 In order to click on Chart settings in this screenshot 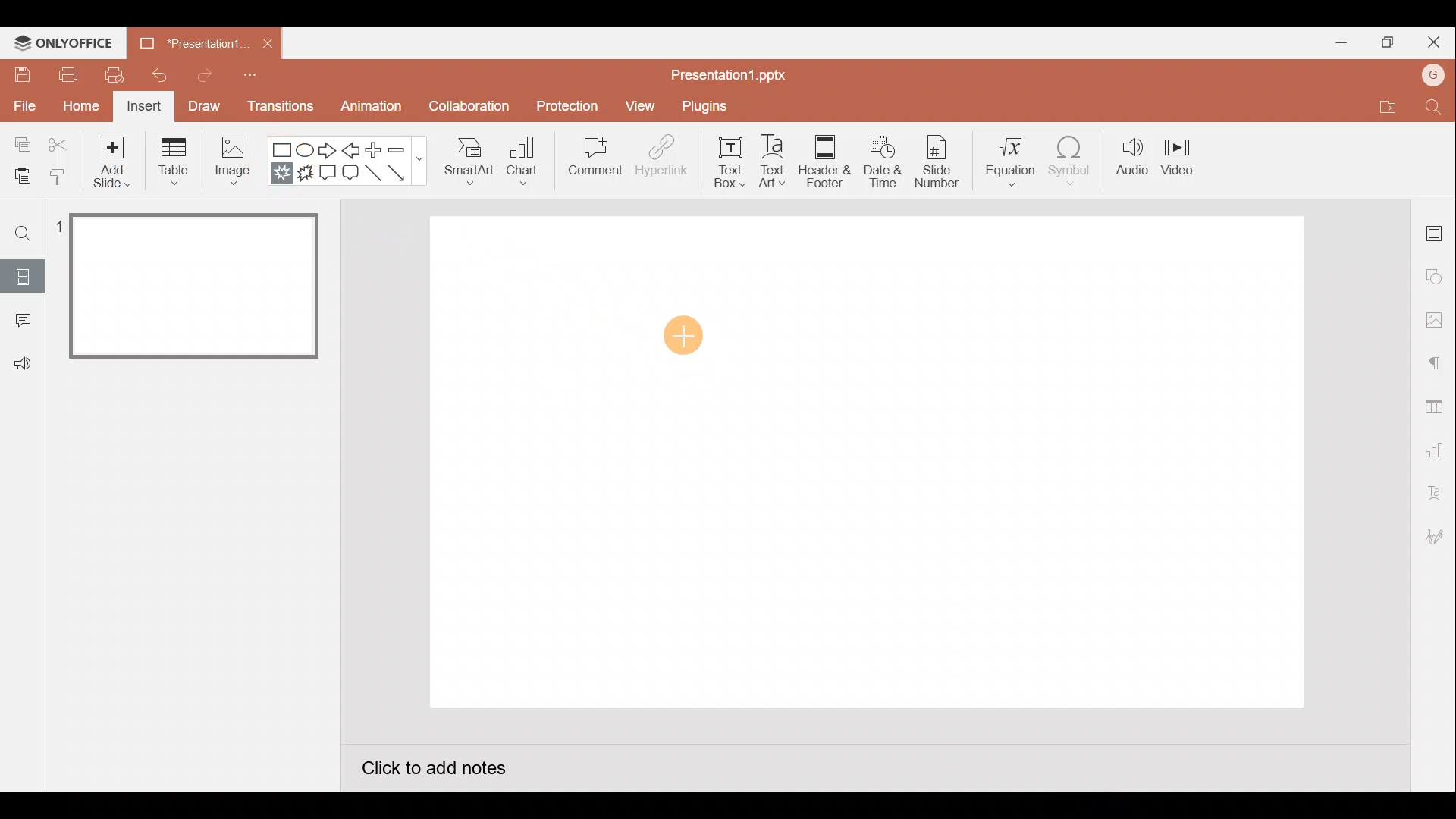, I will do `click(1436, 447)`.